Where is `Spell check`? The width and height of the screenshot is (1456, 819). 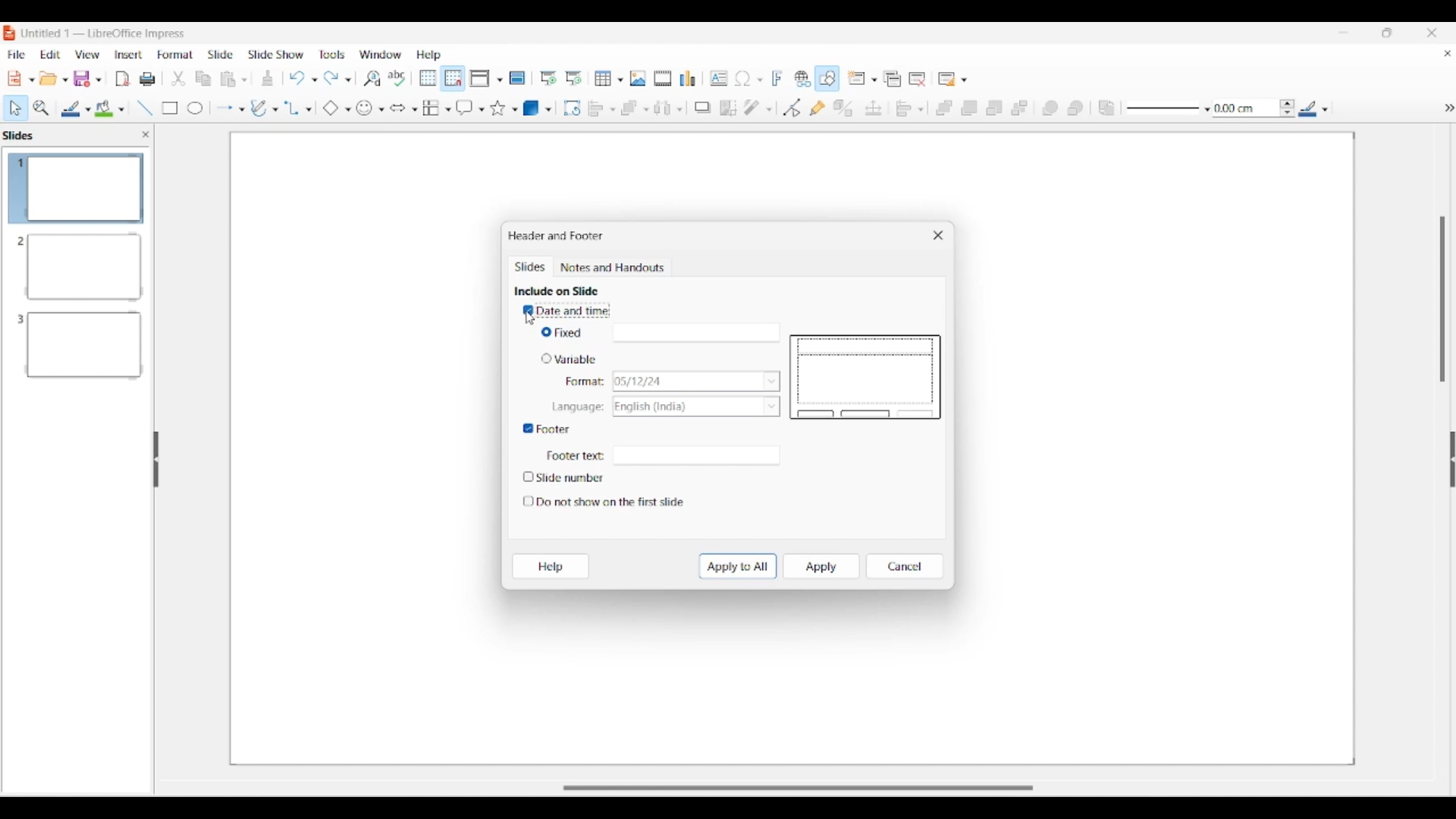 Spell check is located at coordinates (397, 78).